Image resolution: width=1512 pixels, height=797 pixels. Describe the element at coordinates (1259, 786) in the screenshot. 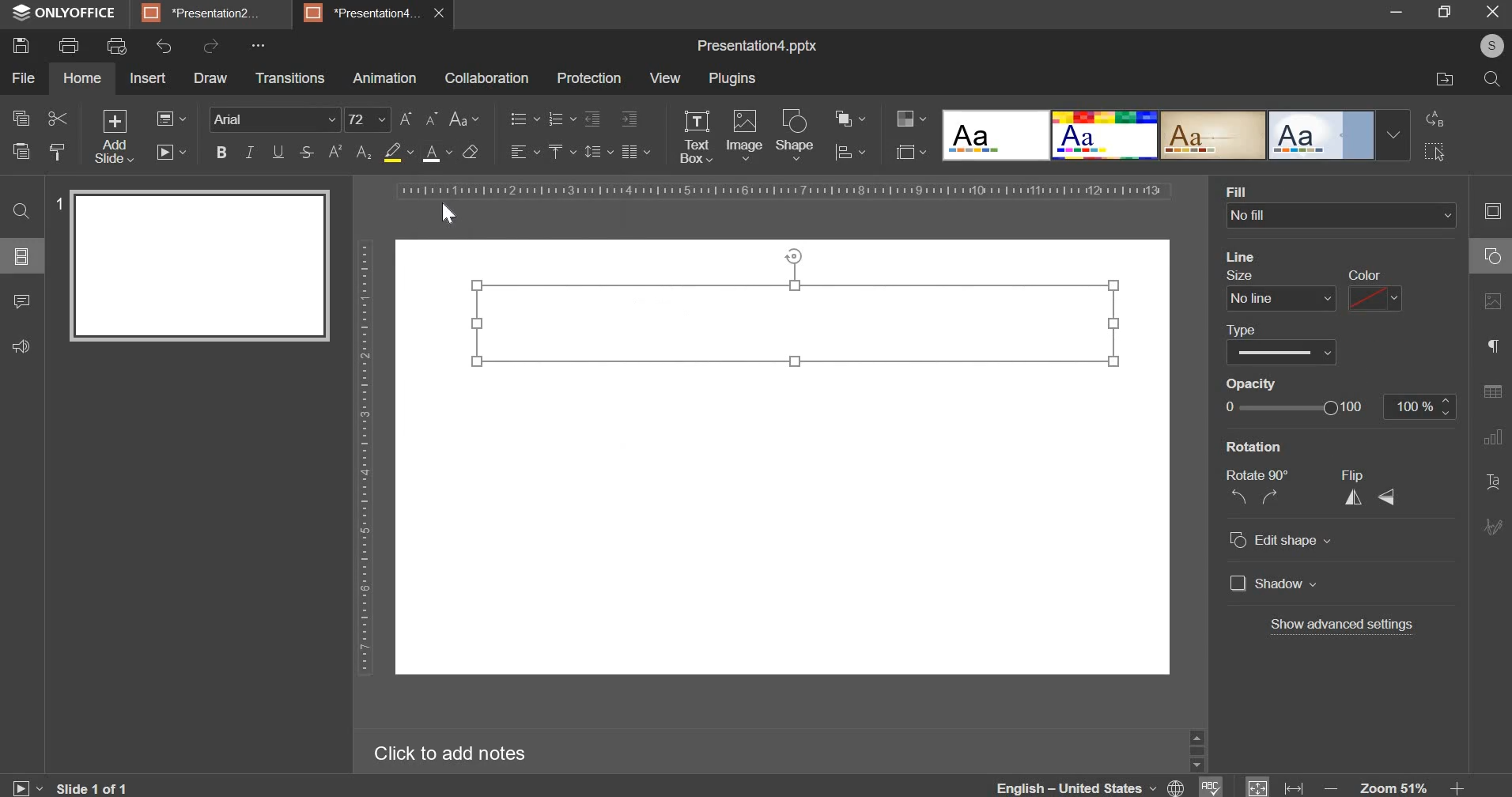

I see `fit` at that location.